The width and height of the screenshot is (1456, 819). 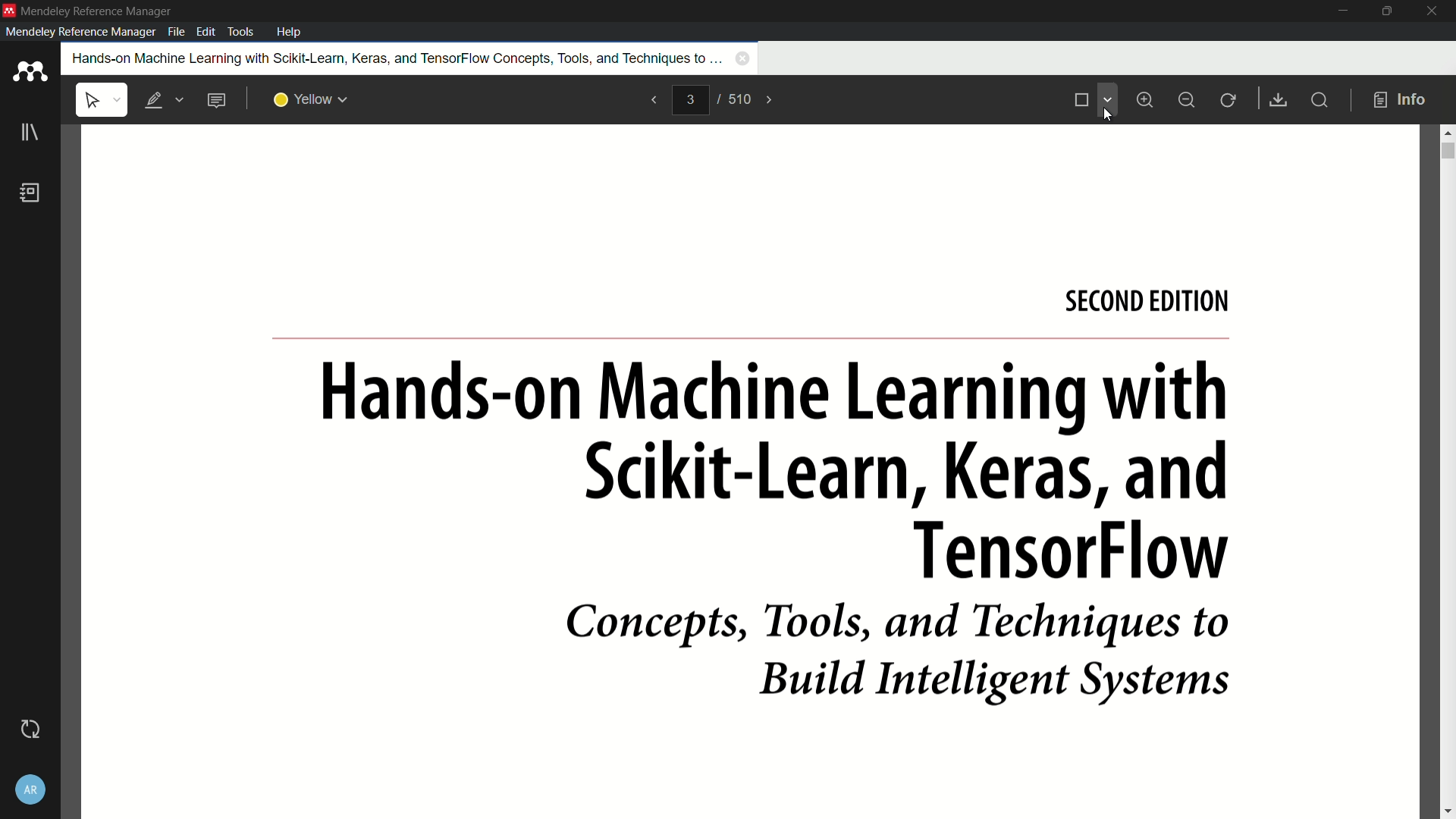 What do you see at coordinates (1080, 101) in the screenshot?
I see `current mode` at bounding box center [1080, 101].